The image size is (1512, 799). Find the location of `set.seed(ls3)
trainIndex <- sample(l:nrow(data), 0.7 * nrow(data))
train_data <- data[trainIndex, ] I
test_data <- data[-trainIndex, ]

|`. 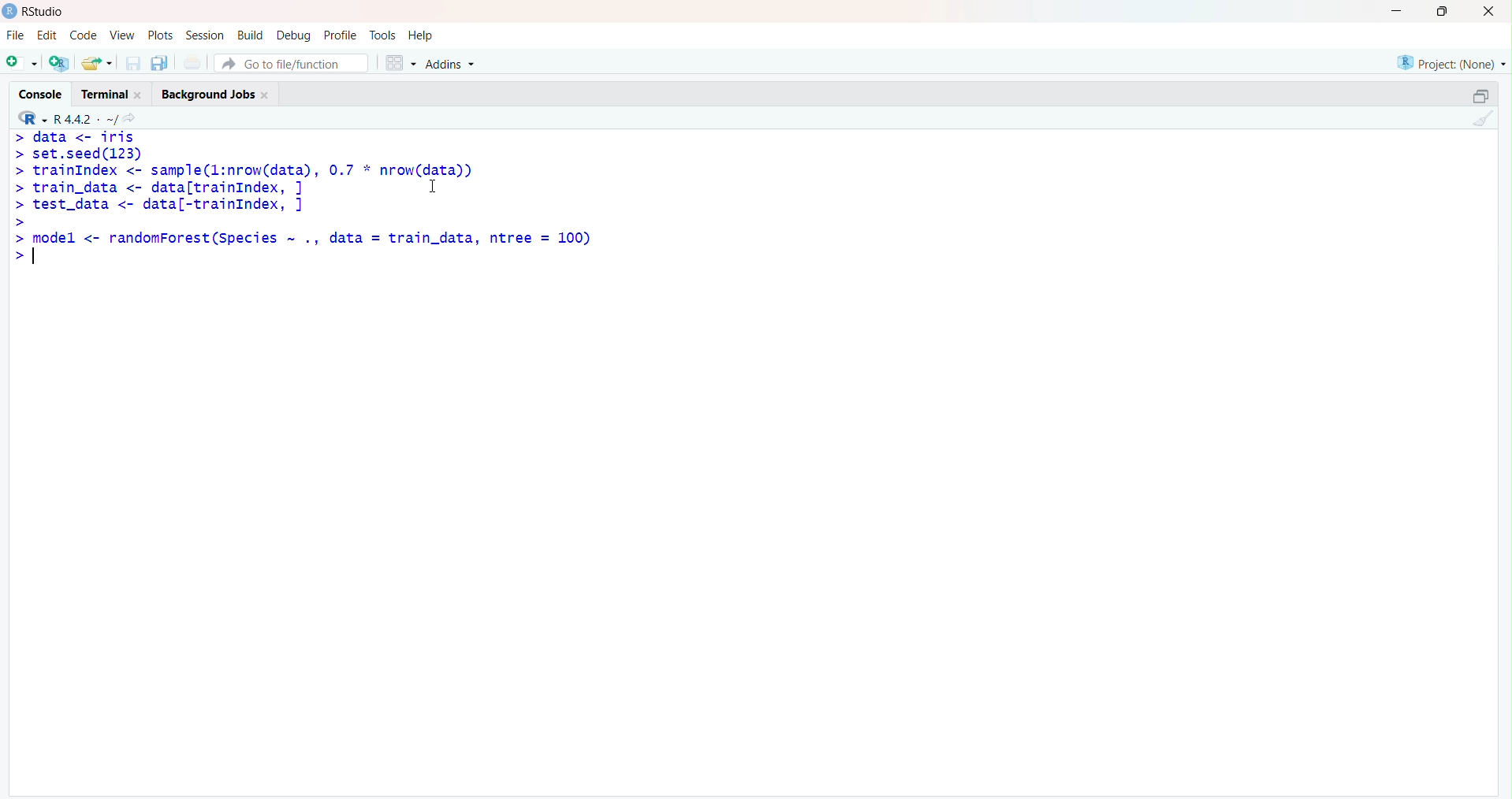

set.seed(ls3)
trainIndex <- sample(l:nrow(data), 0.7 * nrow(data))
train_data <- data[trainIndex, ] I
test_data <- data[-trainIndex, ]

| is located at coordinates (260, 180).